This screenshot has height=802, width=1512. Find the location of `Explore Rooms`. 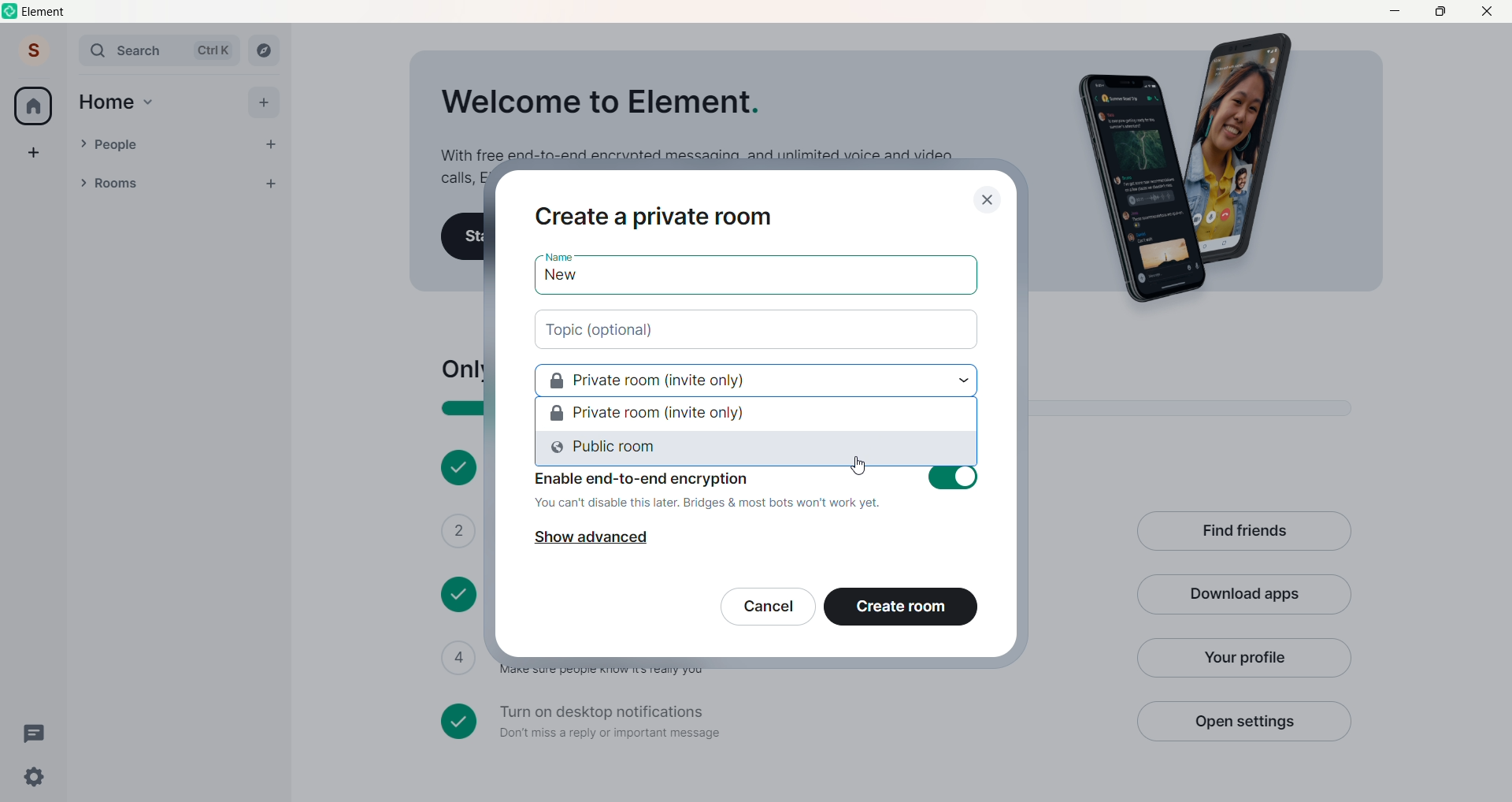

Explore Rooms is located at coordinates (265, 50).